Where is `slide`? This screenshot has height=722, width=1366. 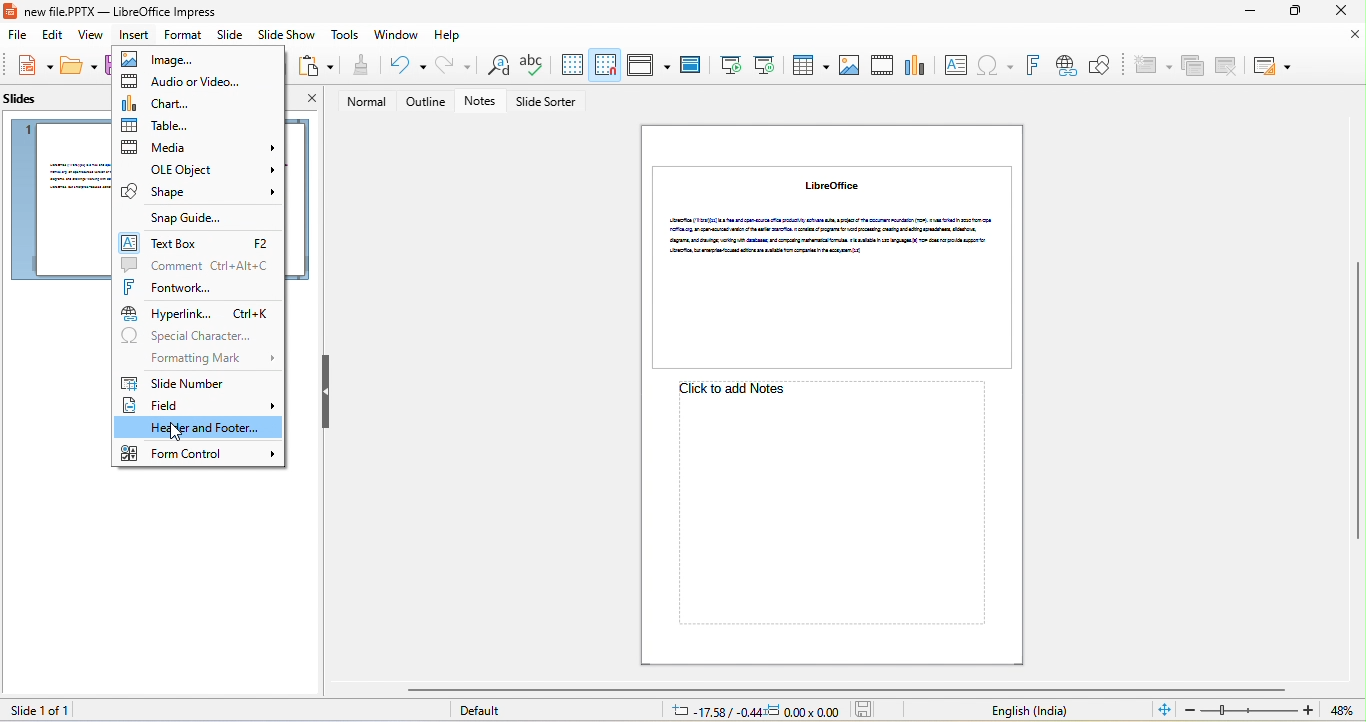
slide is located at coordinates (228, 35).